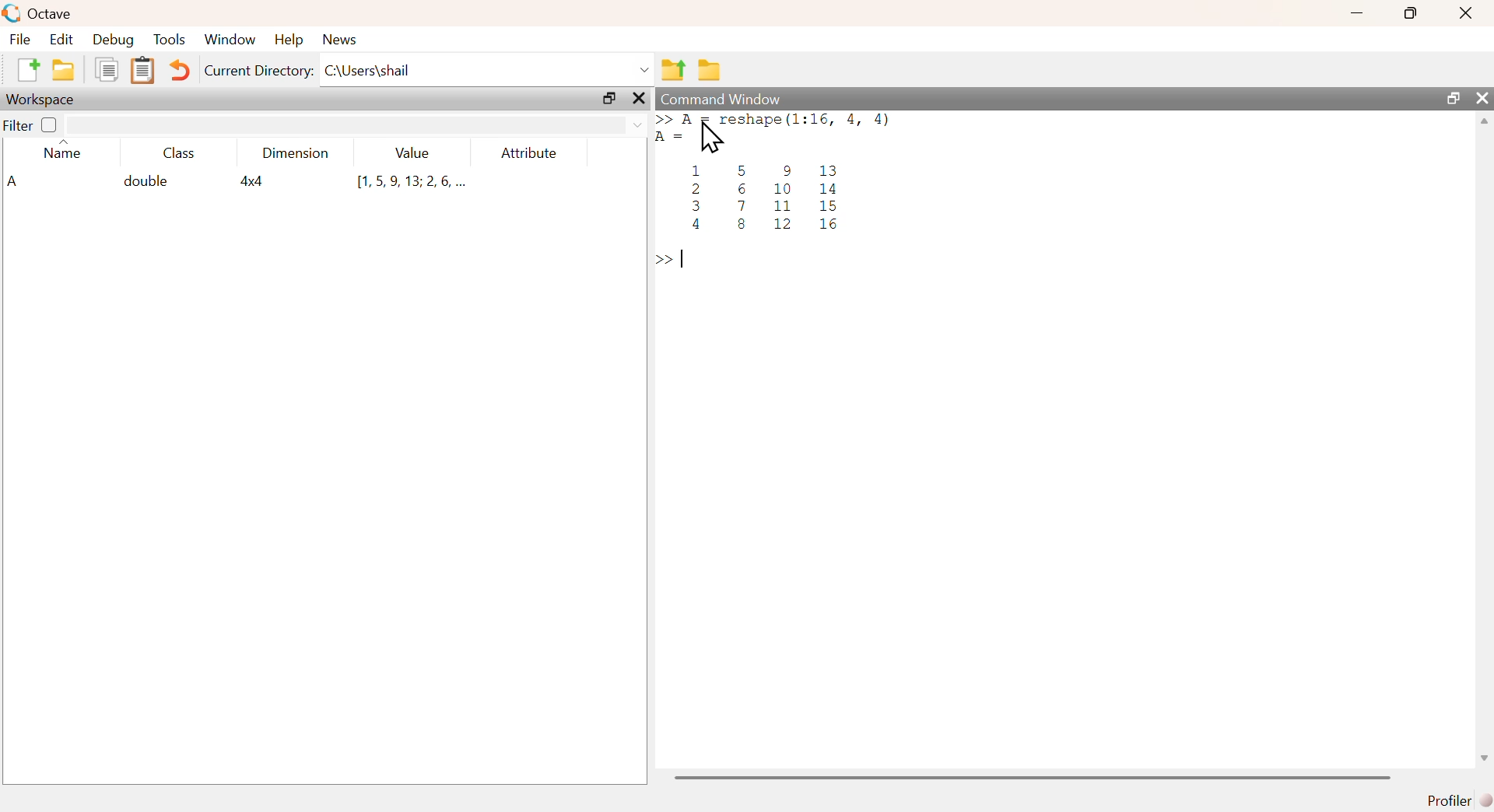 The width and height of the screenshot is (1494, 812). What do you see at coordinates (356, 125) in the screenshot?
I see `filter` at bounding box center [356, 125].